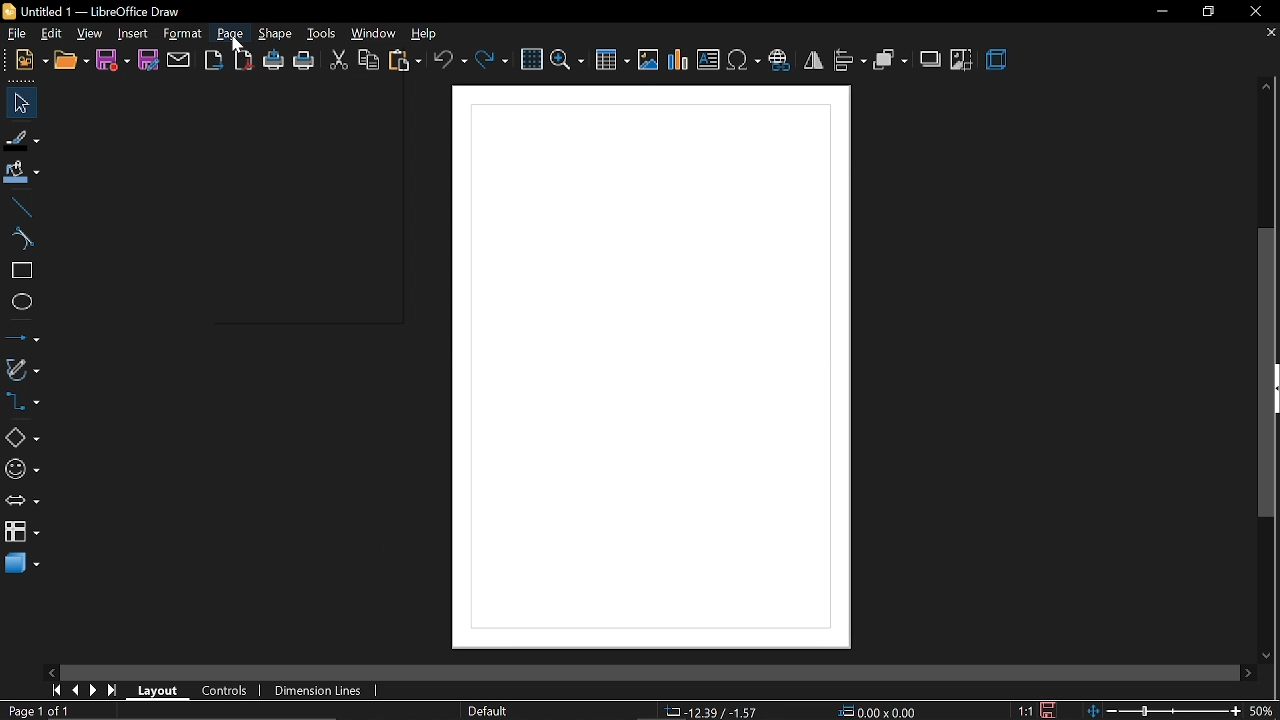 The width and height of the screenshot is (1280, 720). Describe the element at coordinates (1269, 32) in the screenshot. I see `close tab` at that location.